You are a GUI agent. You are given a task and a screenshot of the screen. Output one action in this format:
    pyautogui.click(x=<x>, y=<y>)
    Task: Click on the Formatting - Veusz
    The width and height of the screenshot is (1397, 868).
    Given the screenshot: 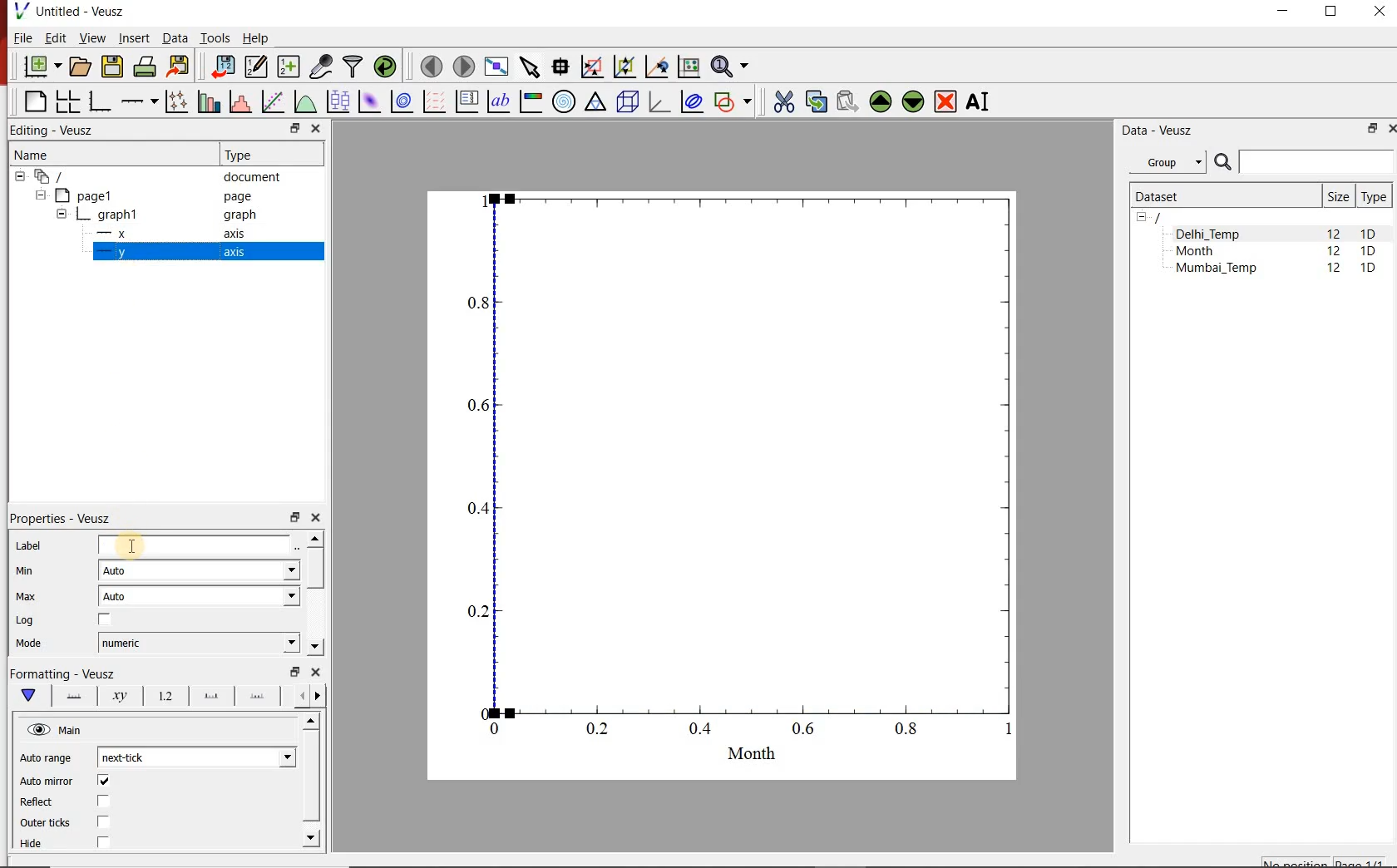 What is the action you would take?
    pyautogui.click(x=67, y=673)
    